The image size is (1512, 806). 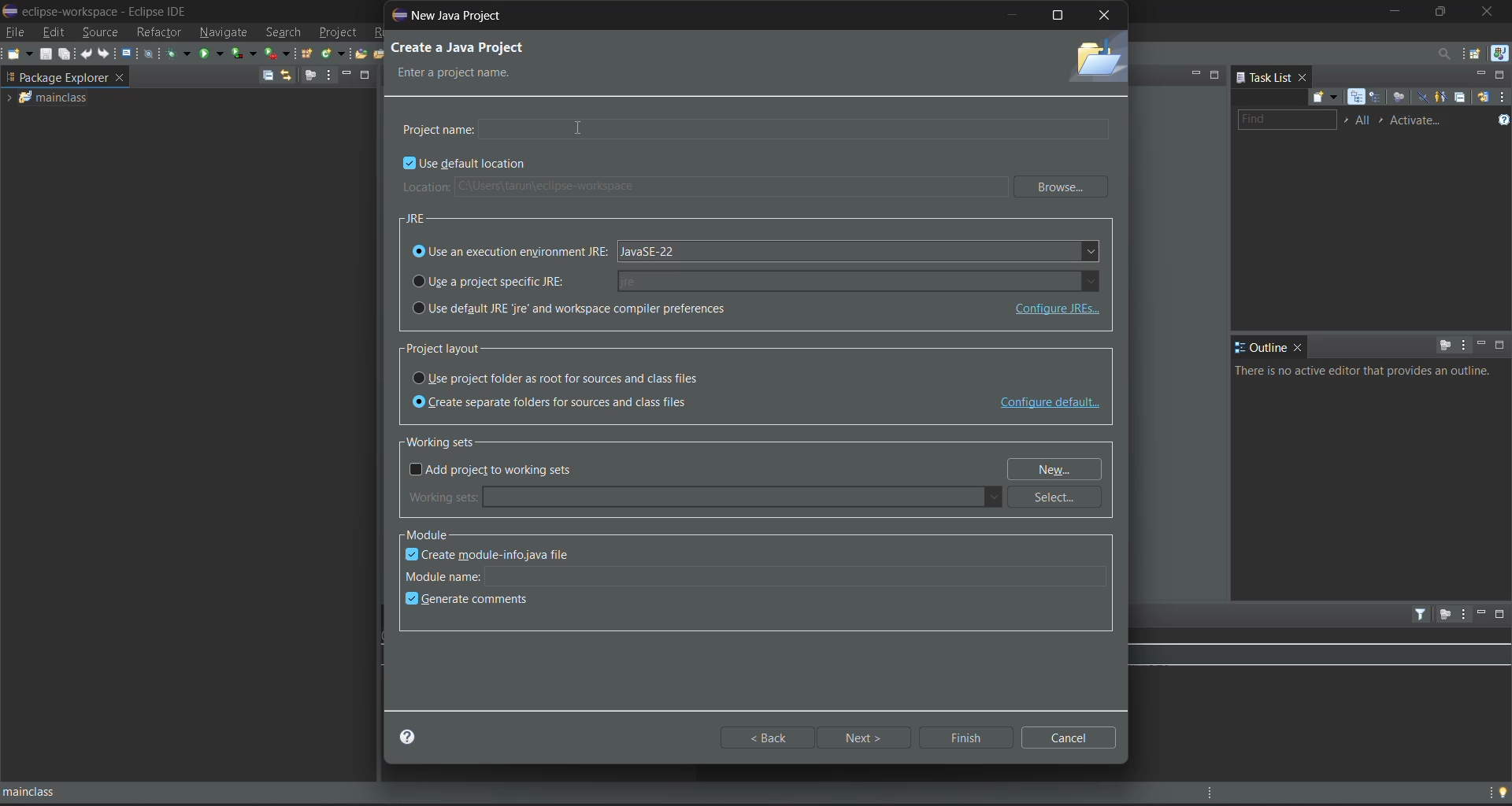 What do you see at coordinates (1445, 345) in the screenshot?
I see `focus on active task` at bounding box center [1445, 345].